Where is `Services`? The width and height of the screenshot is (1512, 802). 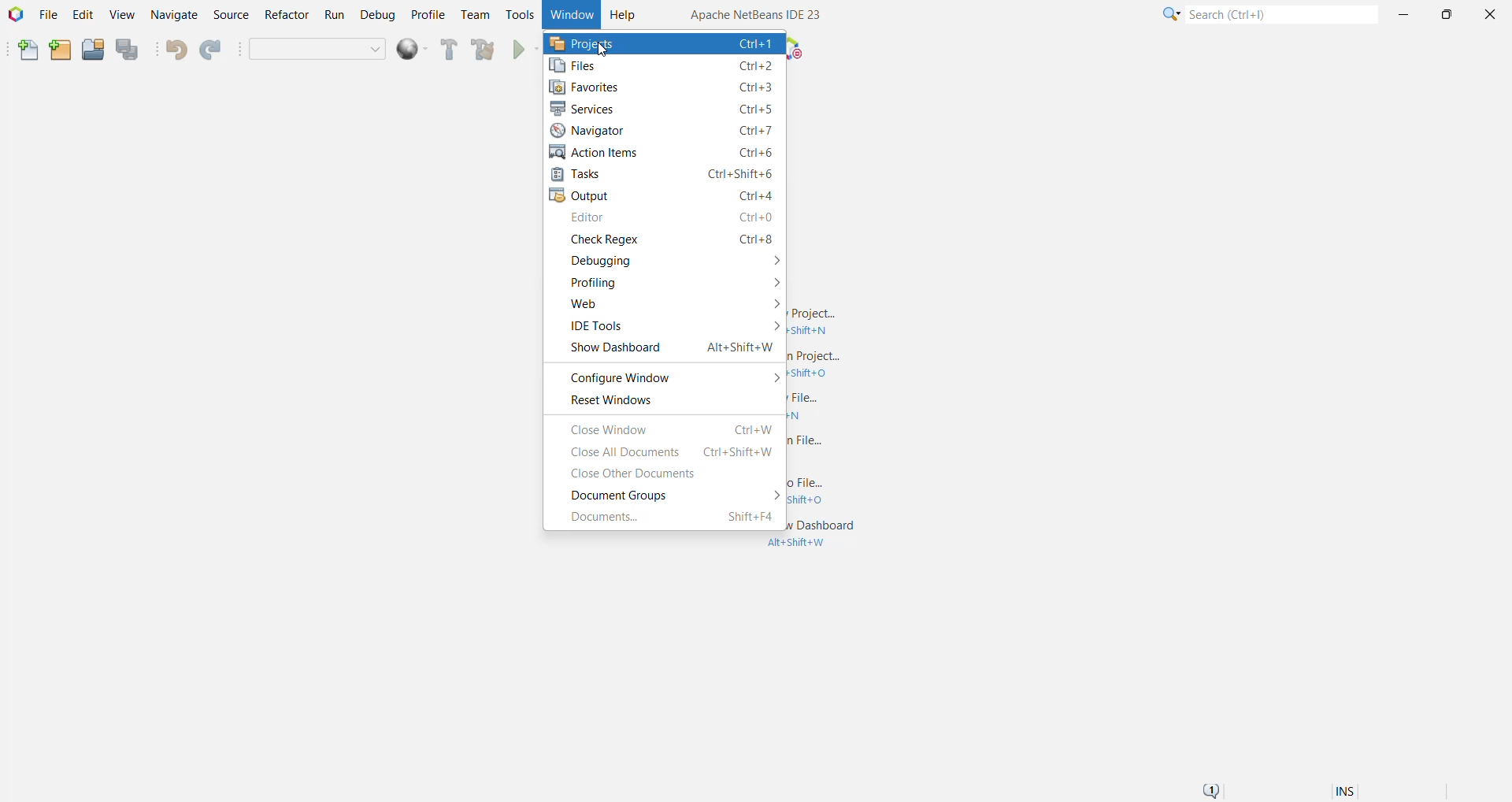
Services is located at coordinates (665, 108).